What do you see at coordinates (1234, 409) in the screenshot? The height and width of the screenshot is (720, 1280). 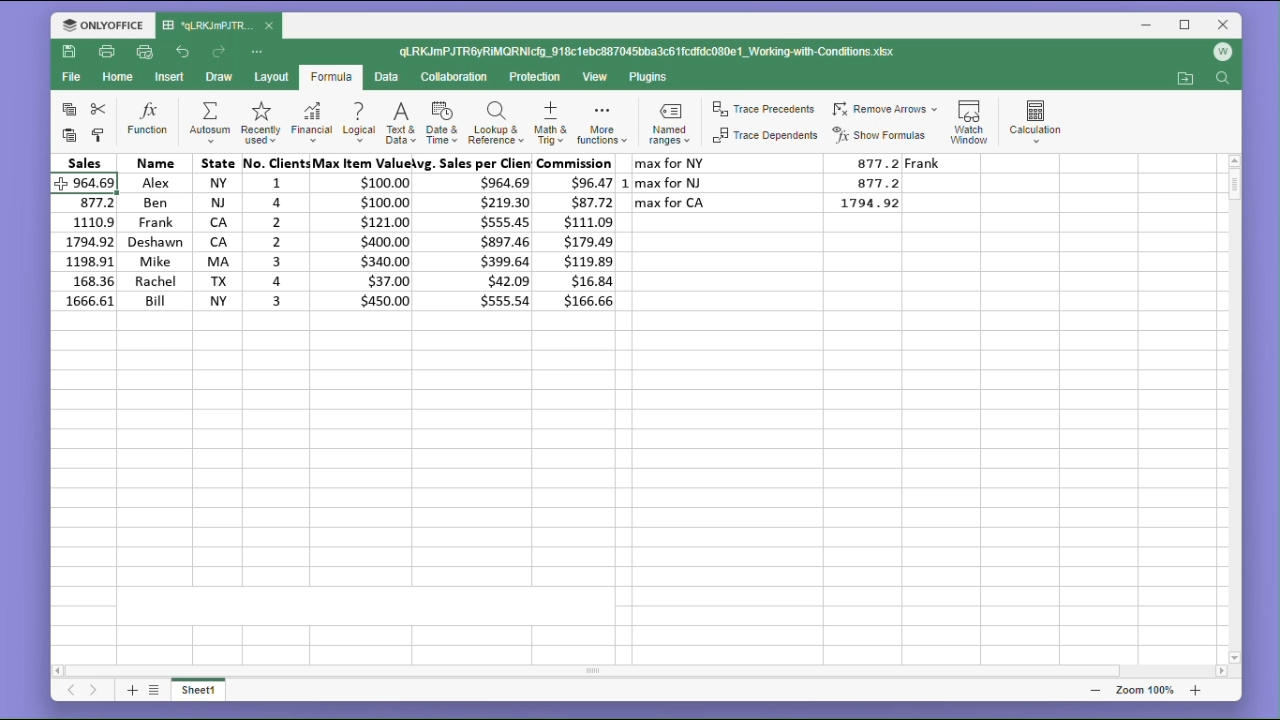 I see `vertical scroll bar` at bounding box center [1234, 409].